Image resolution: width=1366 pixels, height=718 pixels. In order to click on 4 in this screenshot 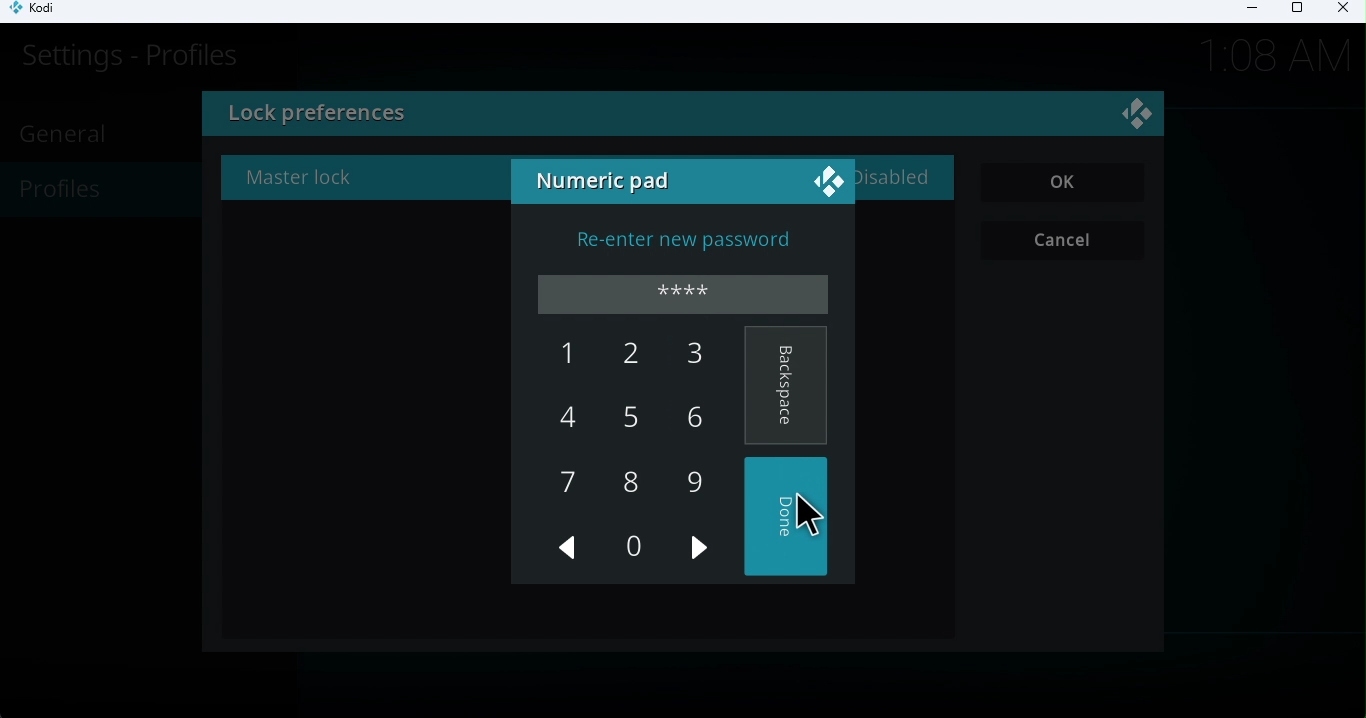, I will do `click(569, 417)`.